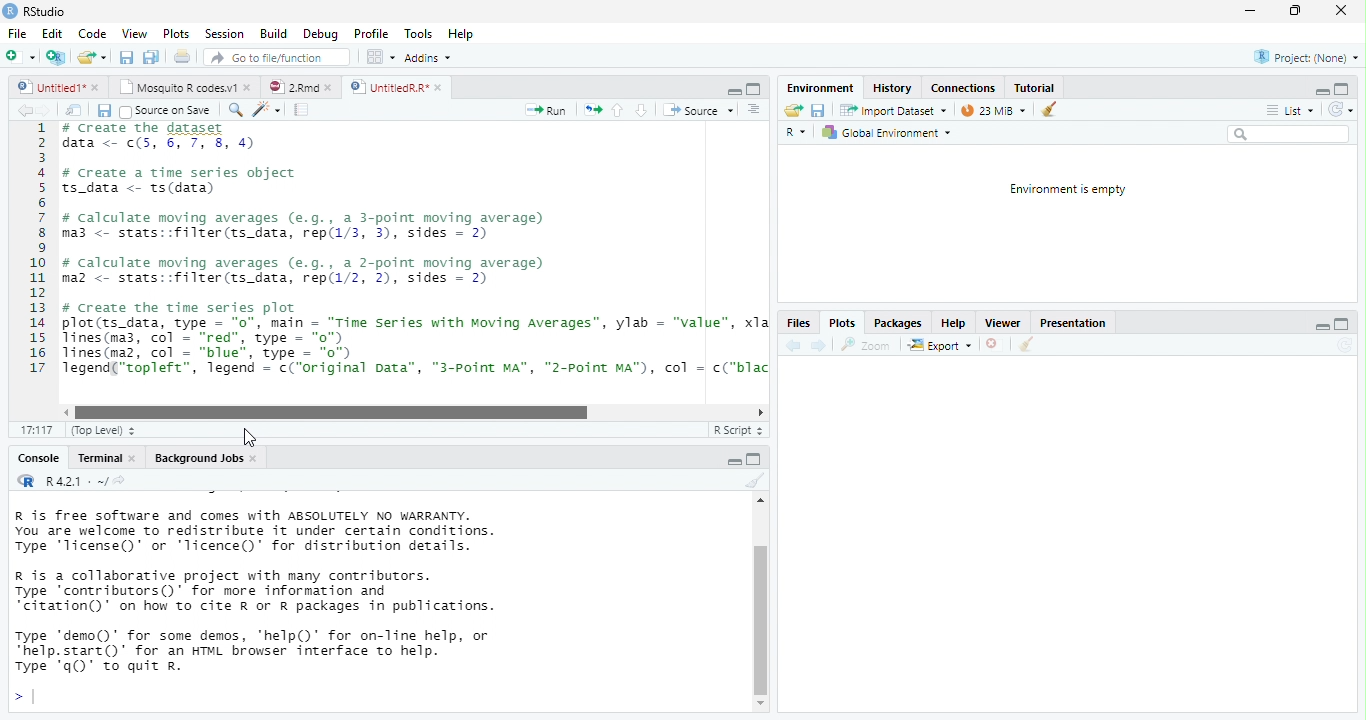 The height and width of the screenshot is (720, 1366). I want to click on compile report, so click(303, 109).